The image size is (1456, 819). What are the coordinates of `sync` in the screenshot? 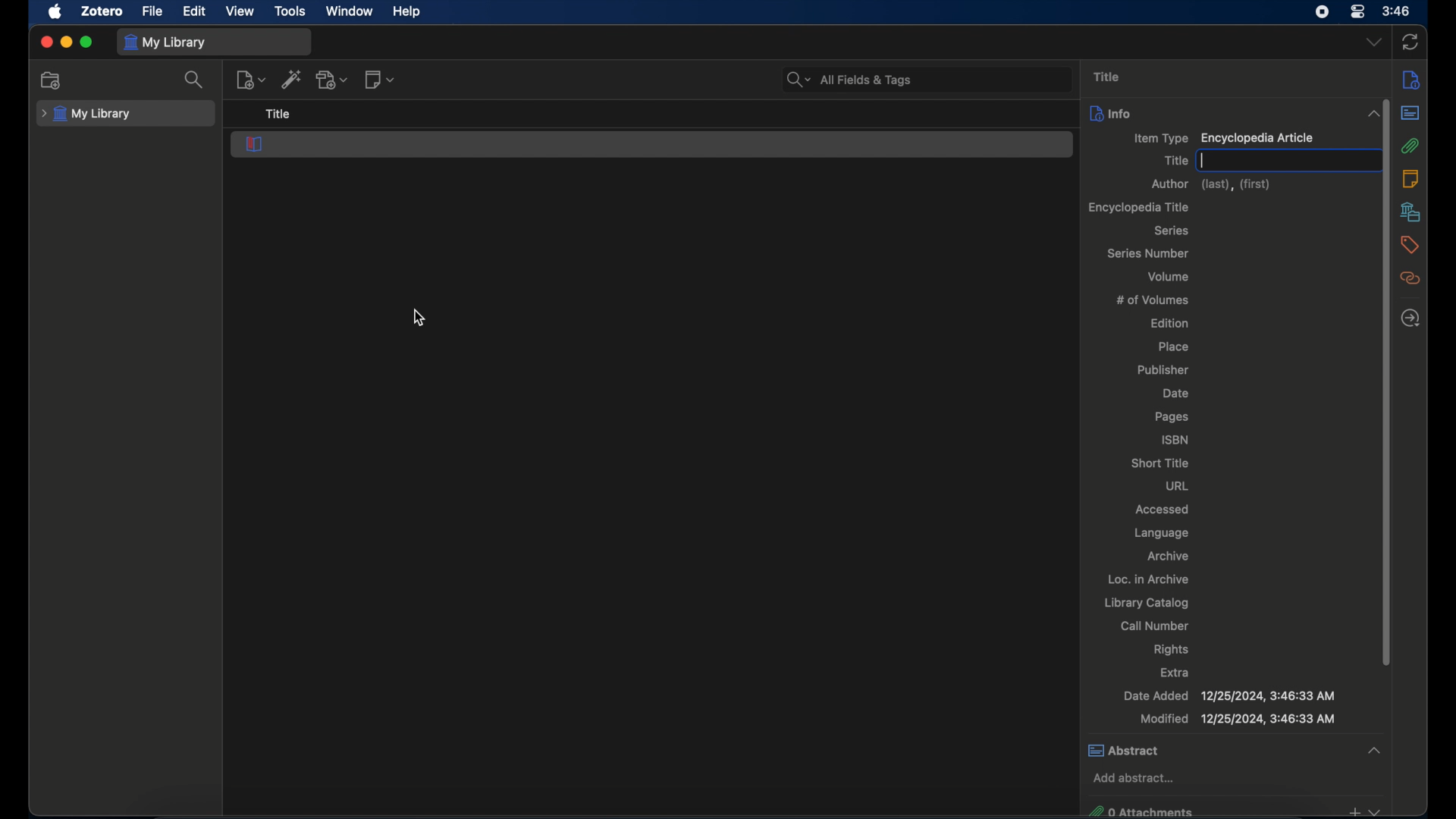 It's located at (1409, 43).